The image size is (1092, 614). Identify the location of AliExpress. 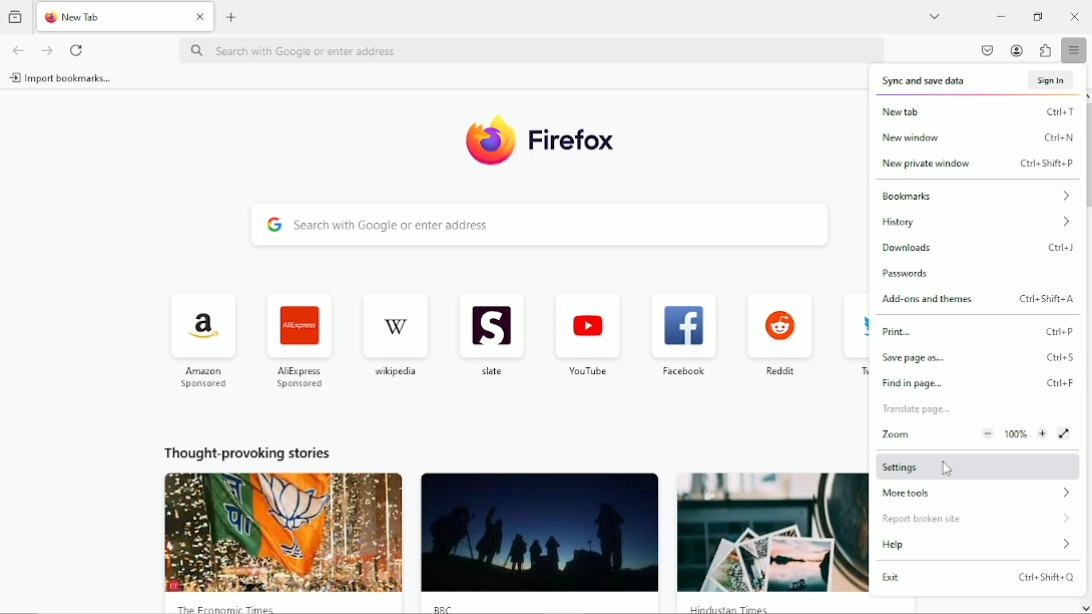
(295, 318).